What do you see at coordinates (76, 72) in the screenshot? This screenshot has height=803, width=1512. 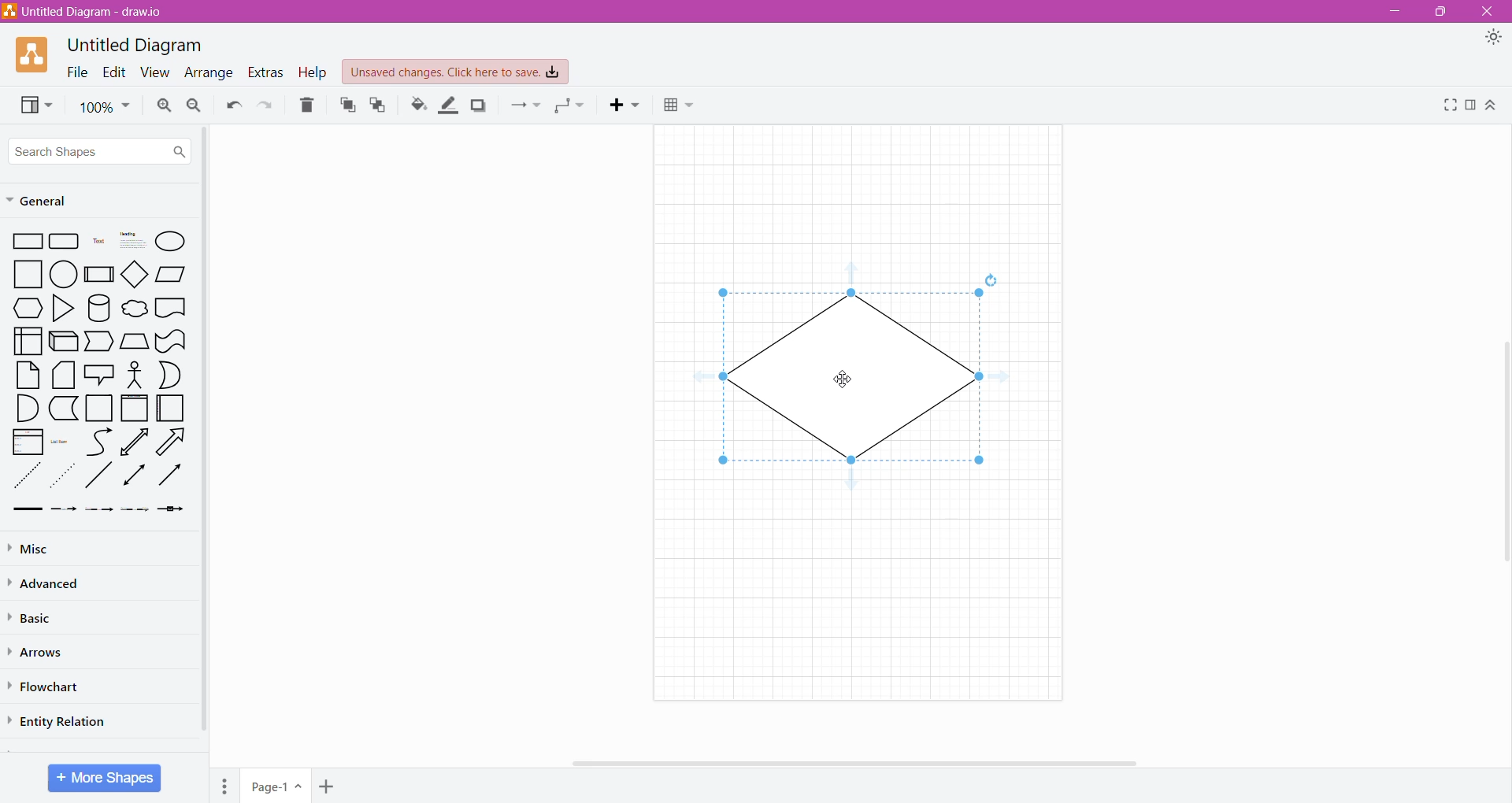 I see `File` at bounding box center [76, 72].